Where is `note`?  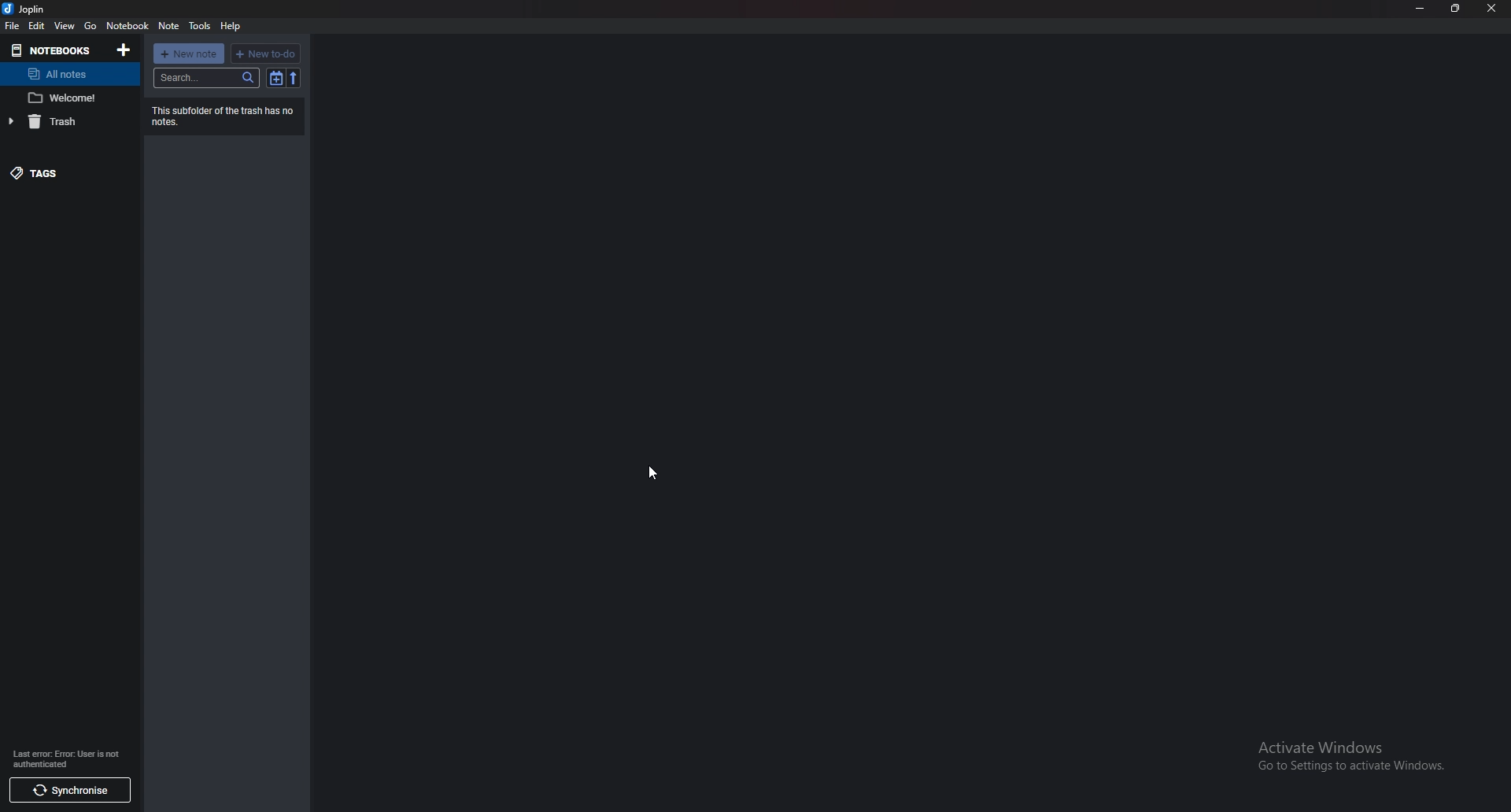
note is located at coordinates (168, 27).